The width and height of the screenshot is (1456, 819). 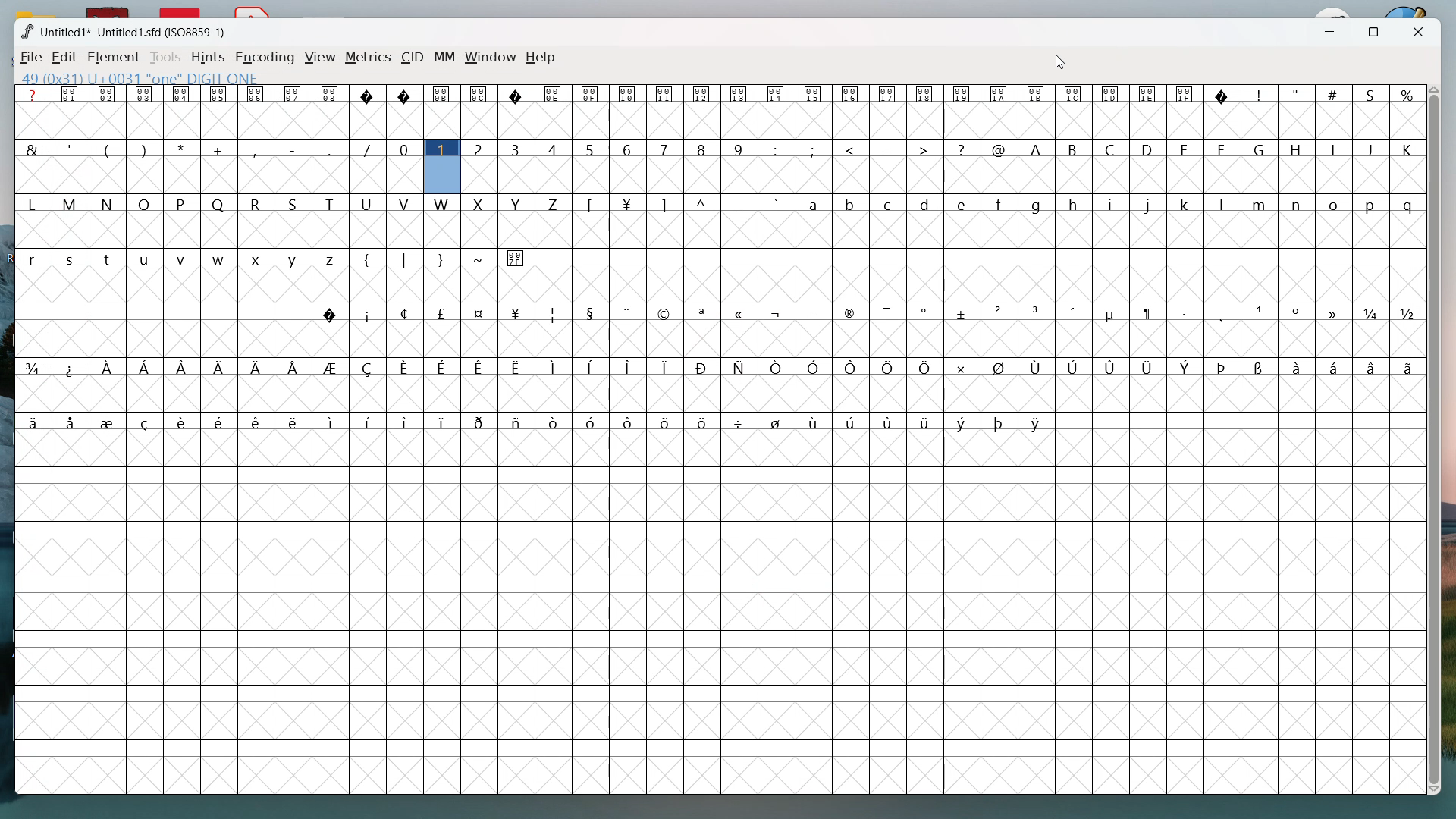 I want to click on p, so click(x=1372, y=204).